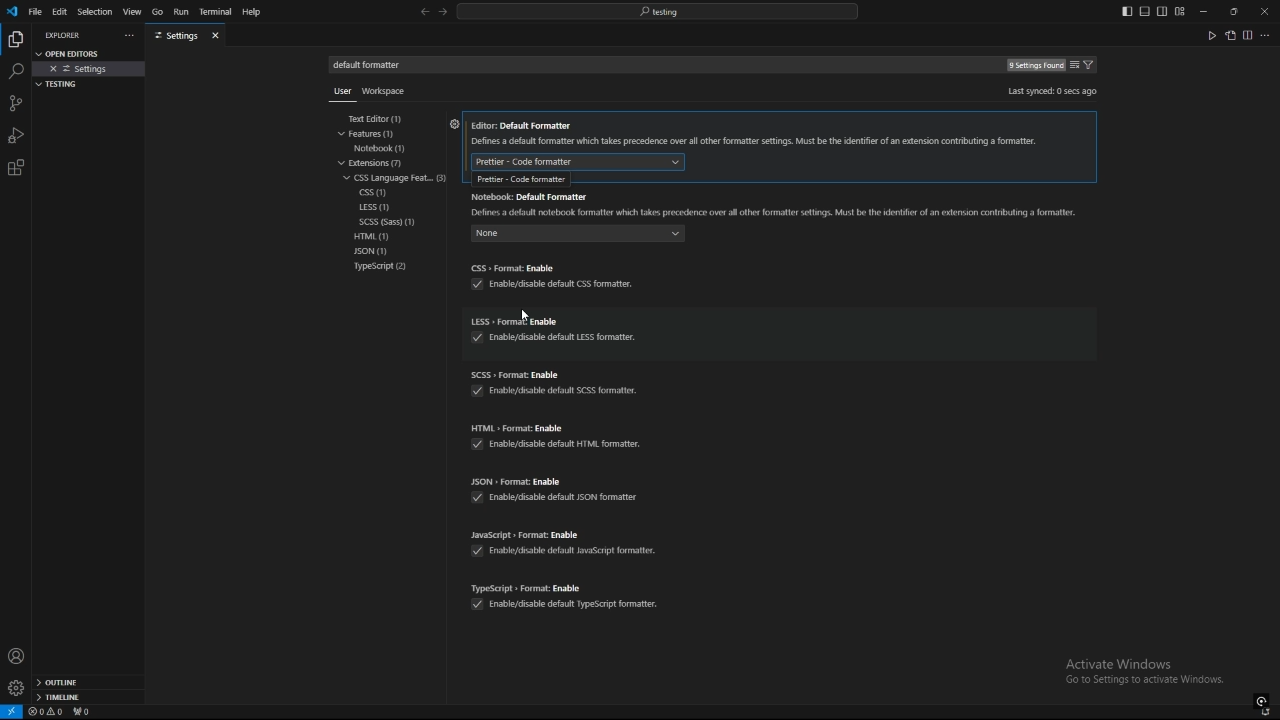  What do you see at coordinates (1204, 12) in the screenshot?
I see `minimize` at bounding box center [1204, 12].